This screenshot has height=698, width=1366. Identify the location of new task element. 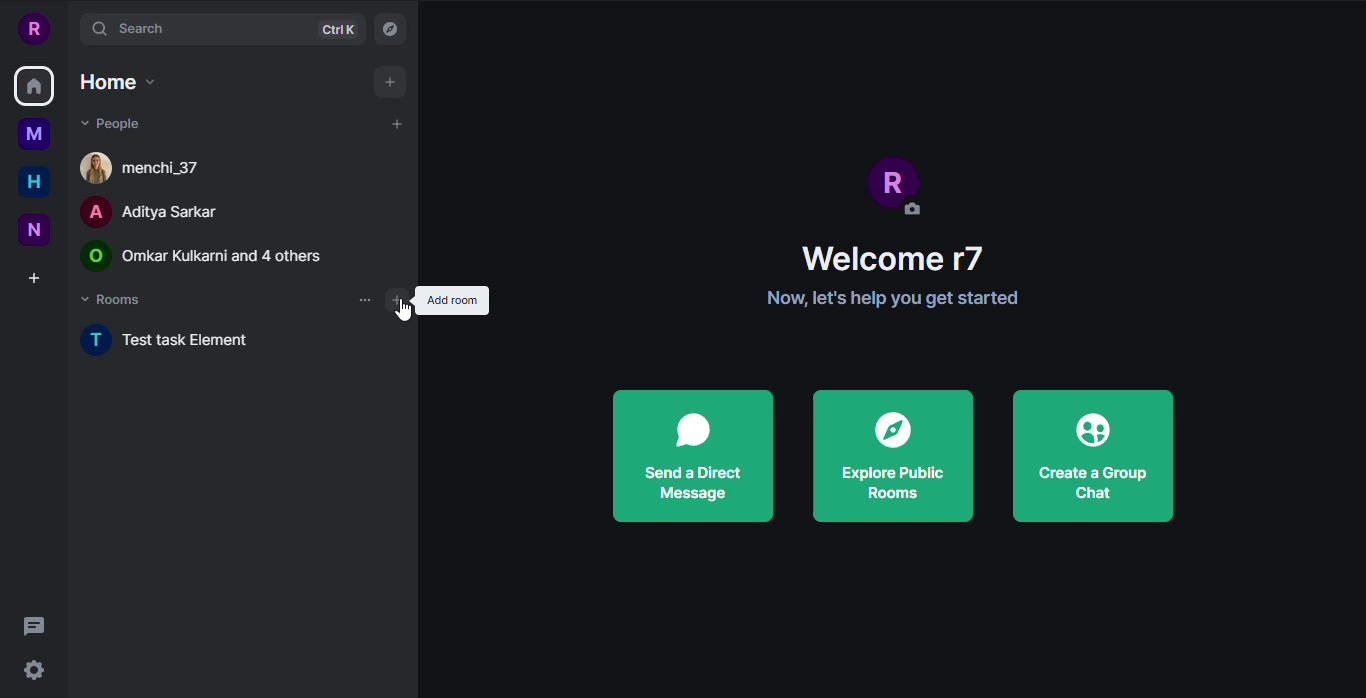
(173, 339).